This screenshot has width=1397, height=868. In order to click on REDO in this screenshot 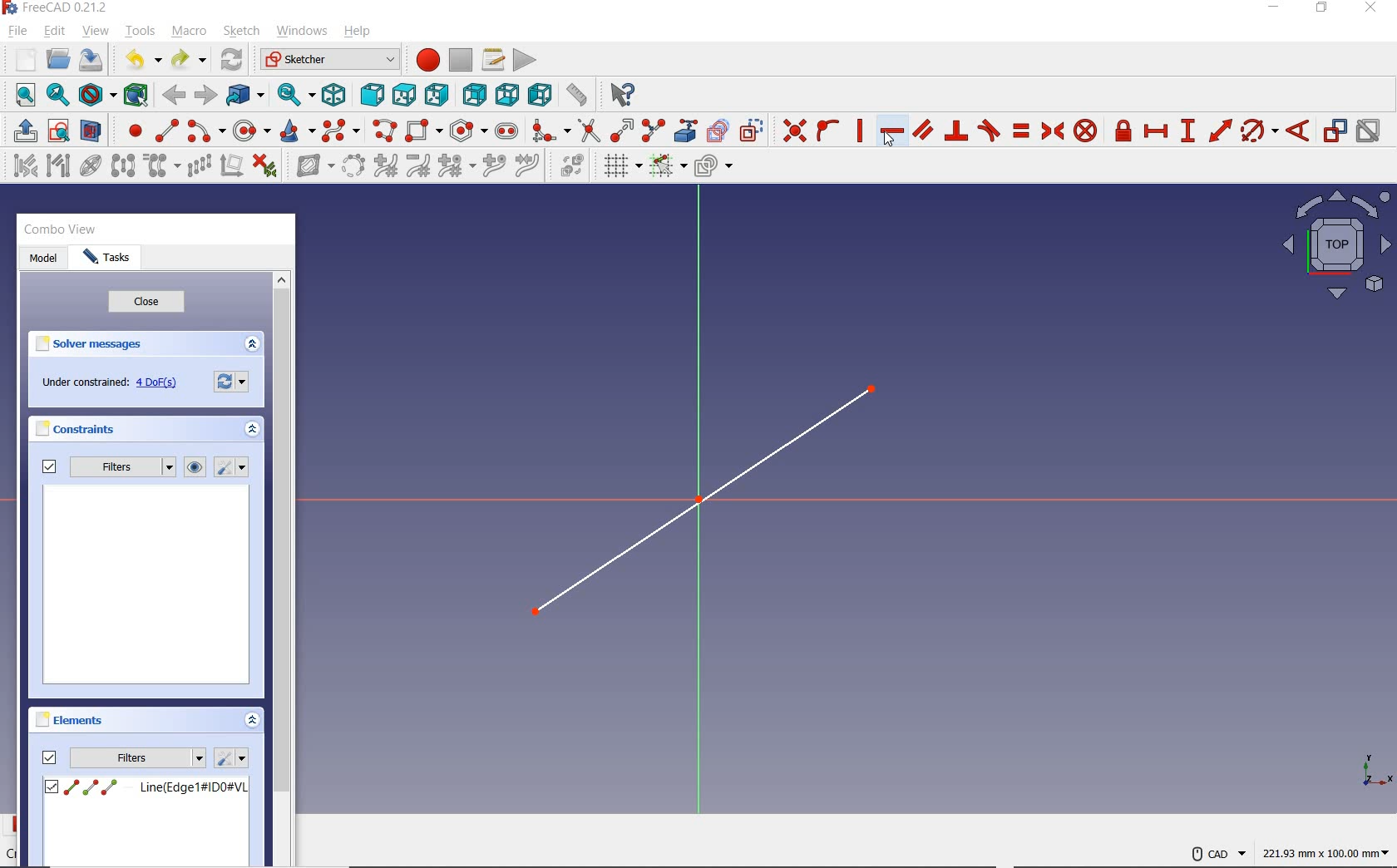, I will do `click(188, 61)`.